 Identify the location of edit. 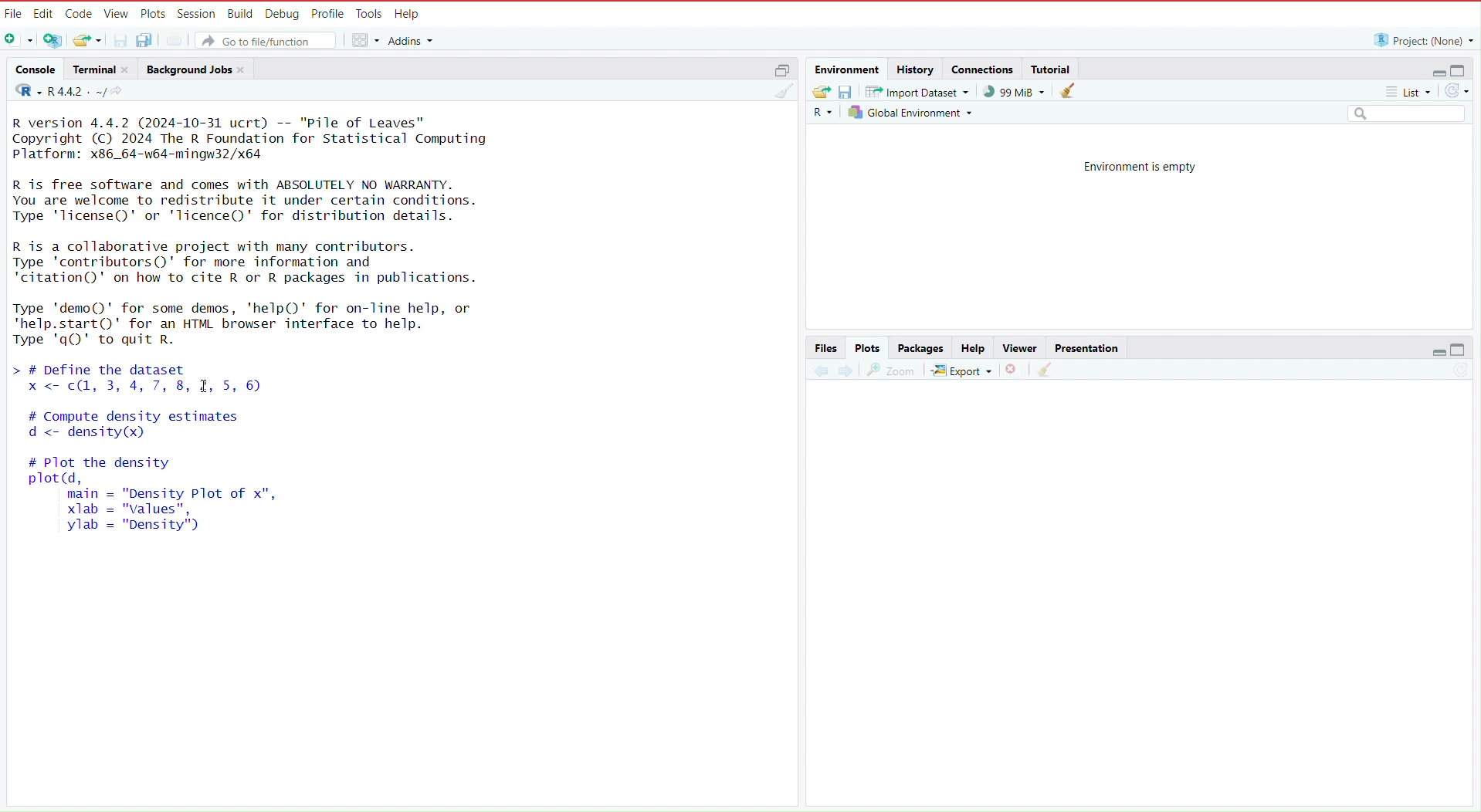
(45, 12).